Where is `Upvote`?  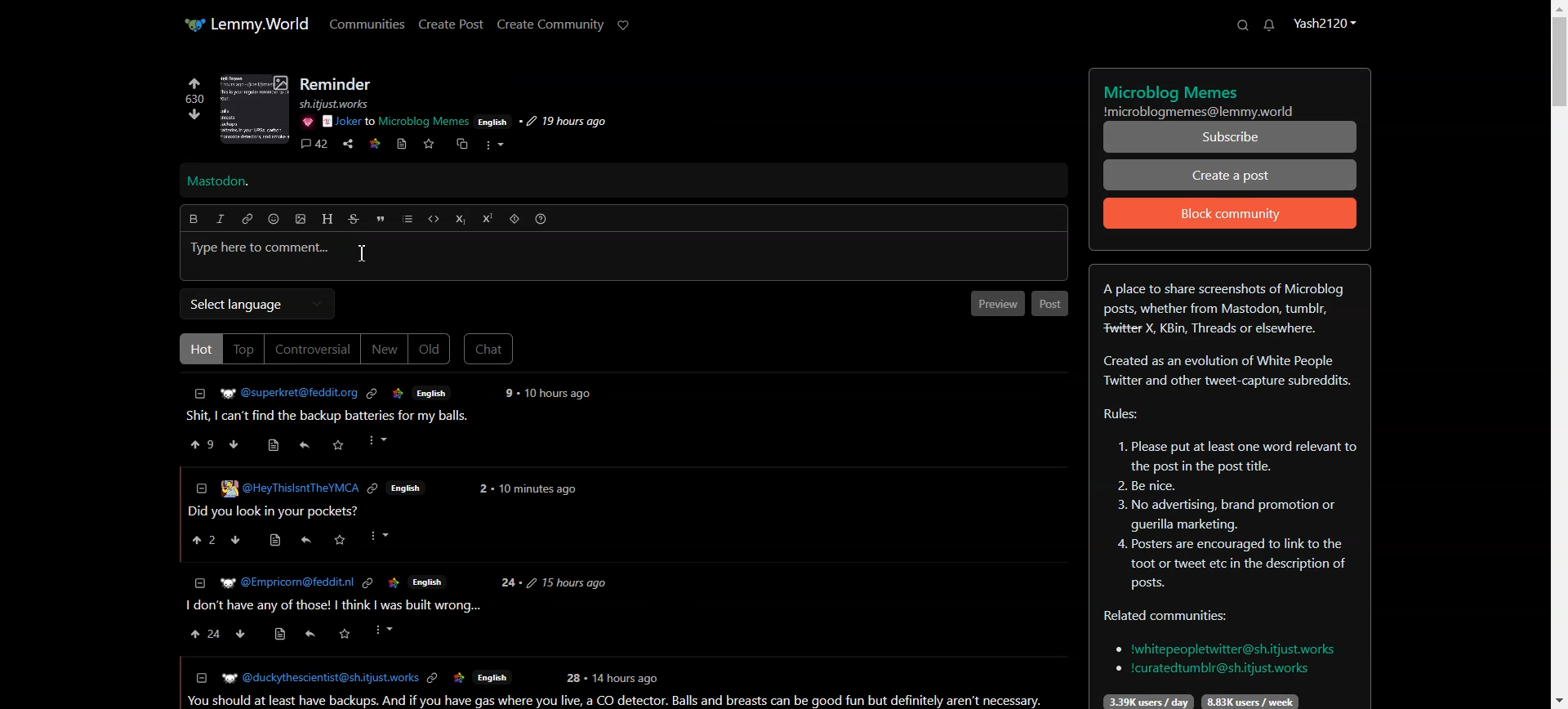
Upvote is located at coordinates (203, 444).